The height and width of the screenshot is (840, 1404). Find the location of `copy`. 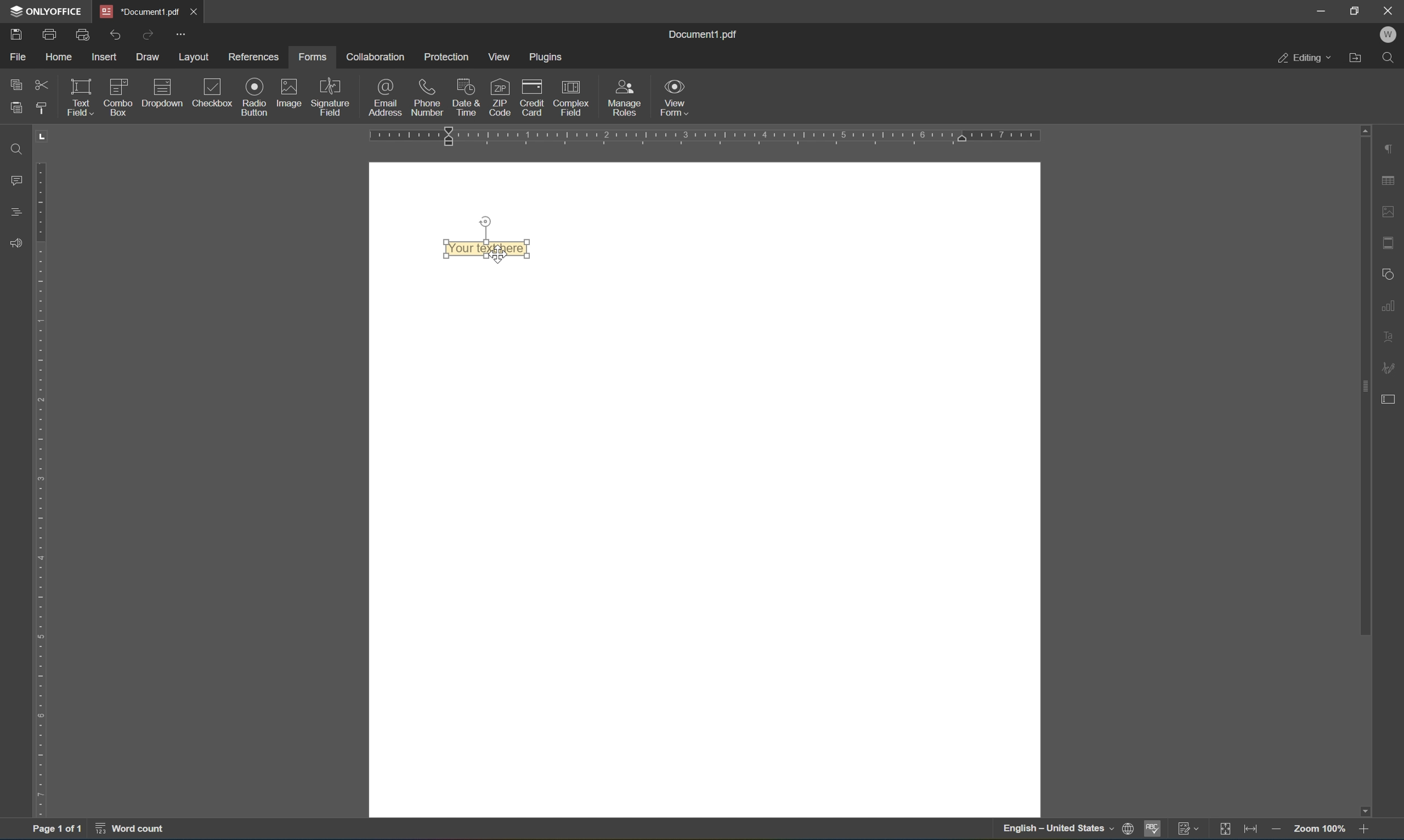

copy is located at coordinates (13, 84).